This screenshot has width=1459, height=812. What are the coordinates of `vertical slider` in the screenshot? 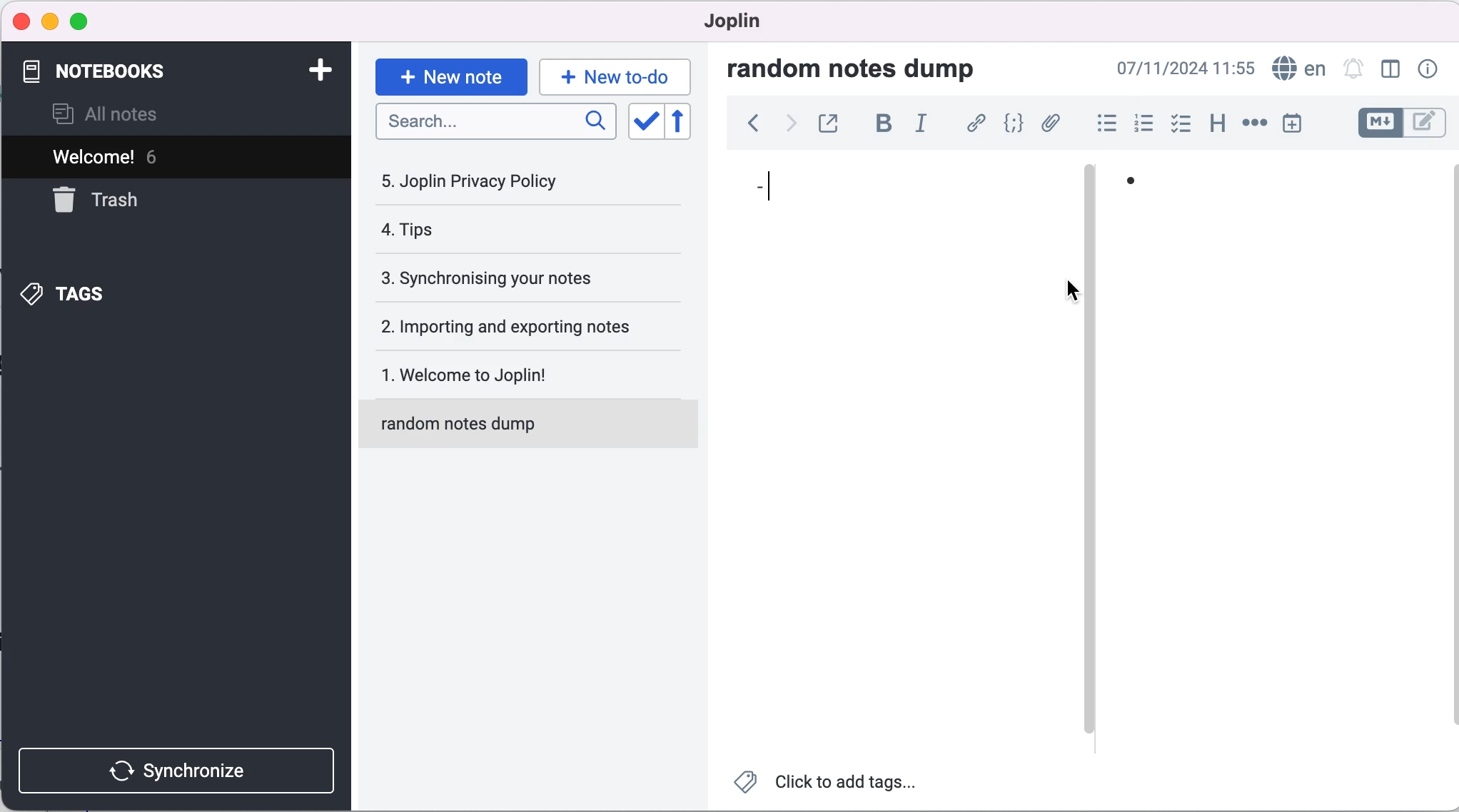 It's located at (1091, 200).